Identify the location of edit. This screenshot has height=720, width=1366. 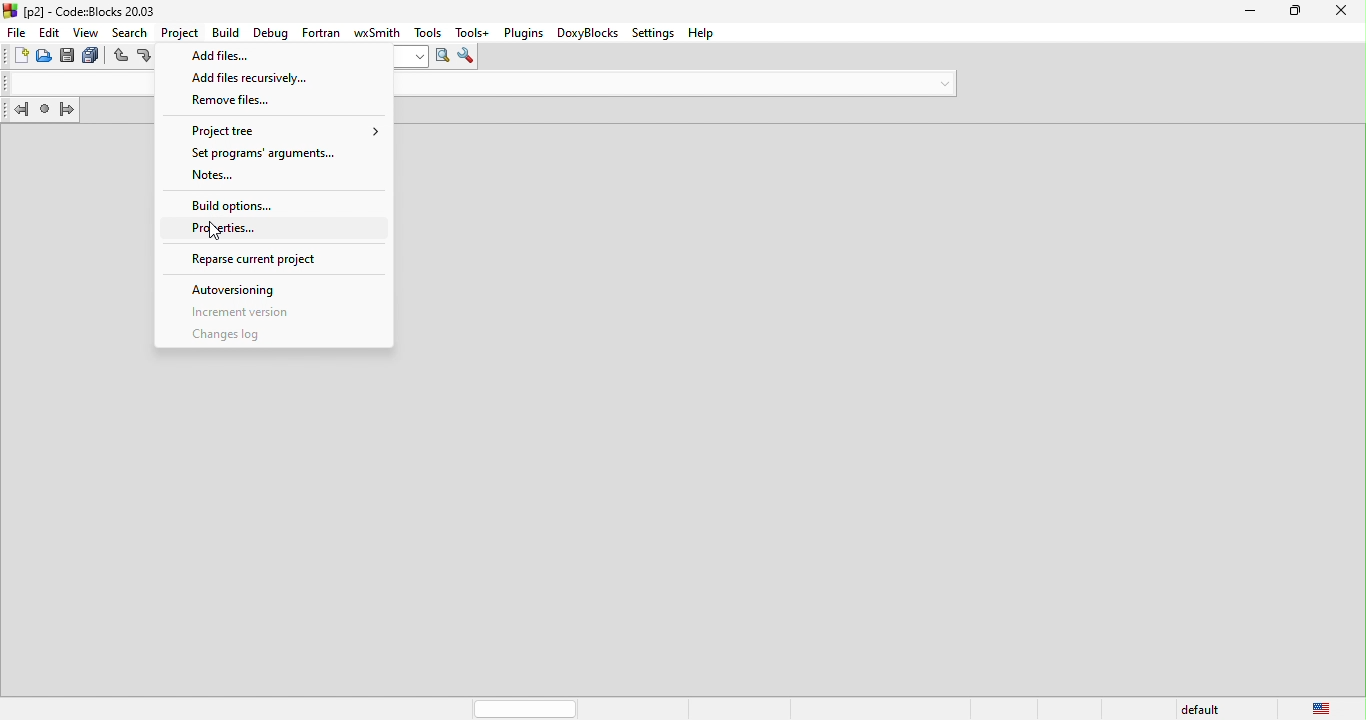
(50, 32).